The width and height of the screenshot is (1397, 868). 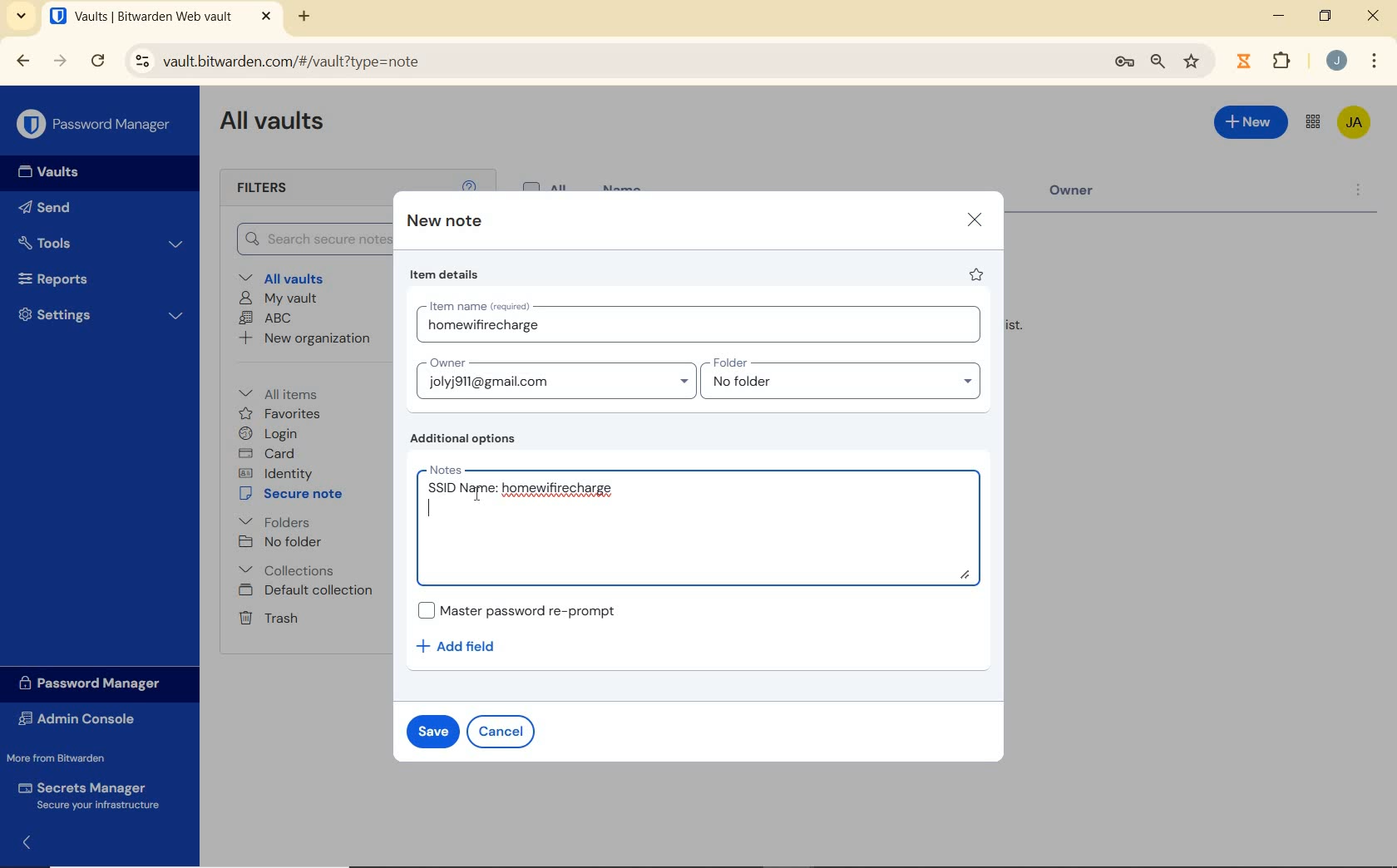 I want to click on Master password re-prompt, so click(x=526, y=609).